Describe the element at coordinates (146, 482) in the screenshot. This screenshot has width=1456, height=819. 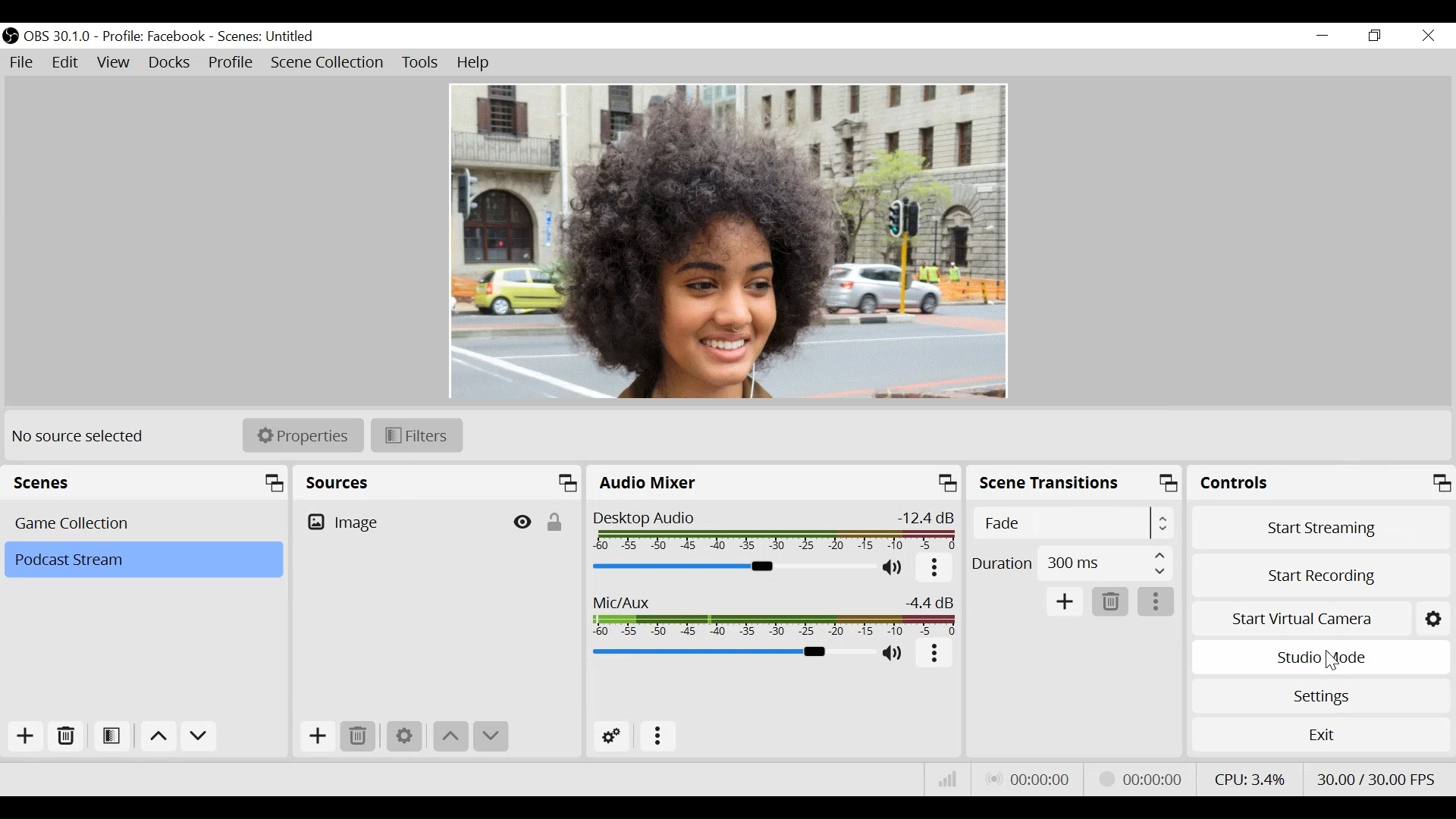
I see `Scenes` at that location.